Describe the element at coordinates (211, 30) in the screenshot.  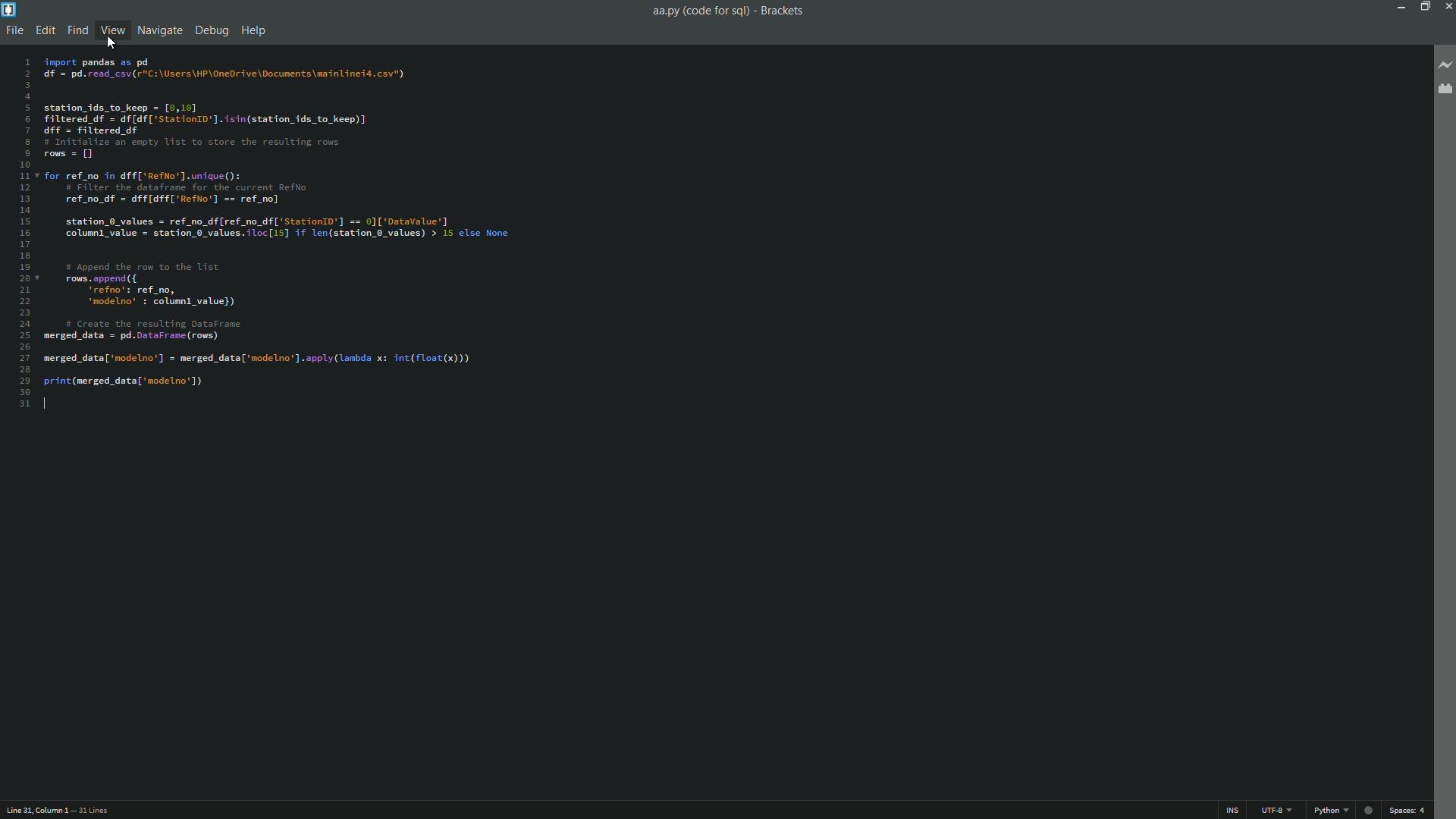
I see `debug menu` at that location.